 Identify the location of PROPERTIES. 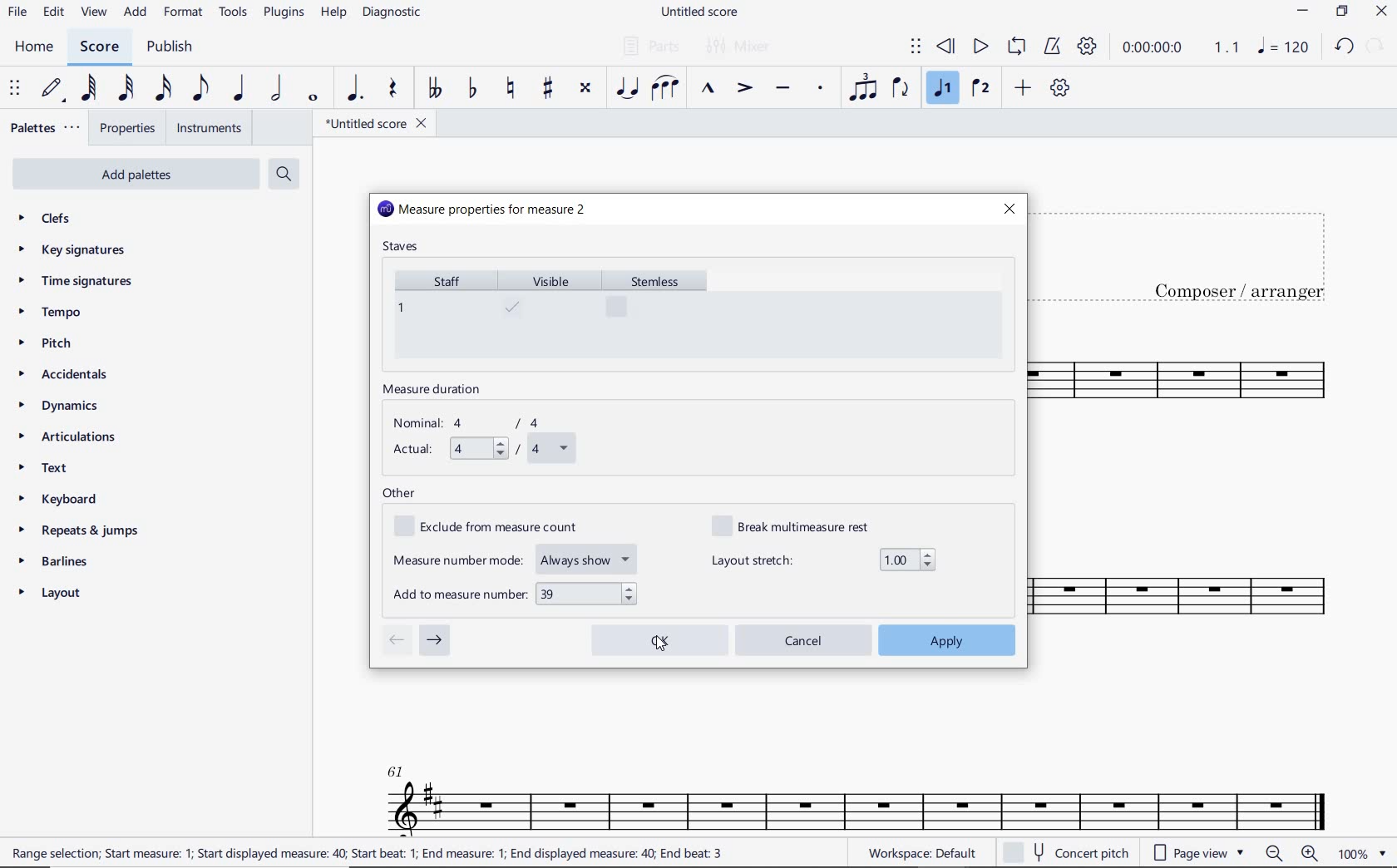
(126, 131).